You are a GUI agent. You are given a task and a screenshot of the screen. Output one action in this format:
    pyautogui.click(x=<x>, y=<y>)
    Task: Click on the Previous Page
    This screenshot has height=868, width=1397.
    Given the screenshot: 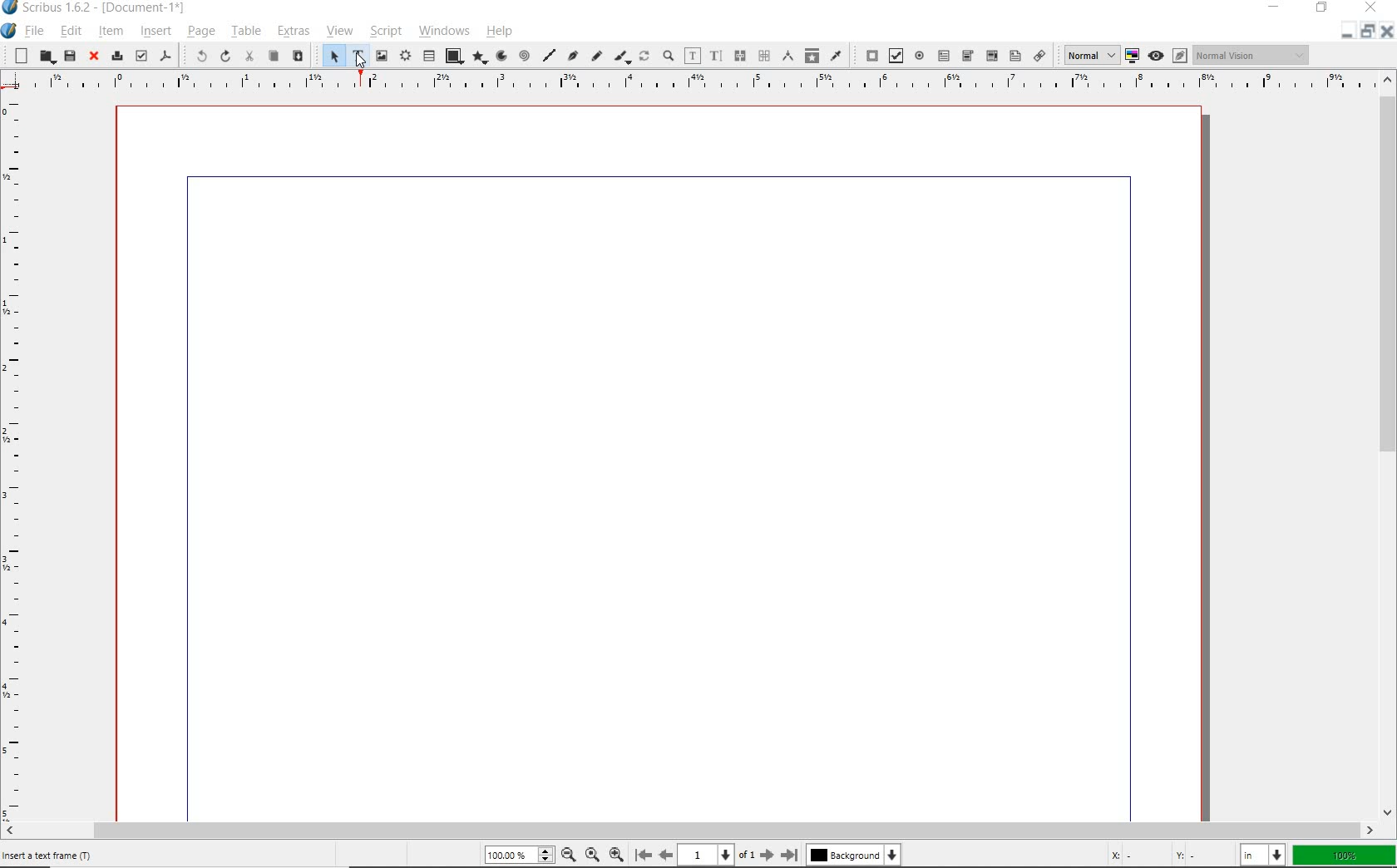 What is the action you would take?
    pyautogui.click(x=667, y=856)
    